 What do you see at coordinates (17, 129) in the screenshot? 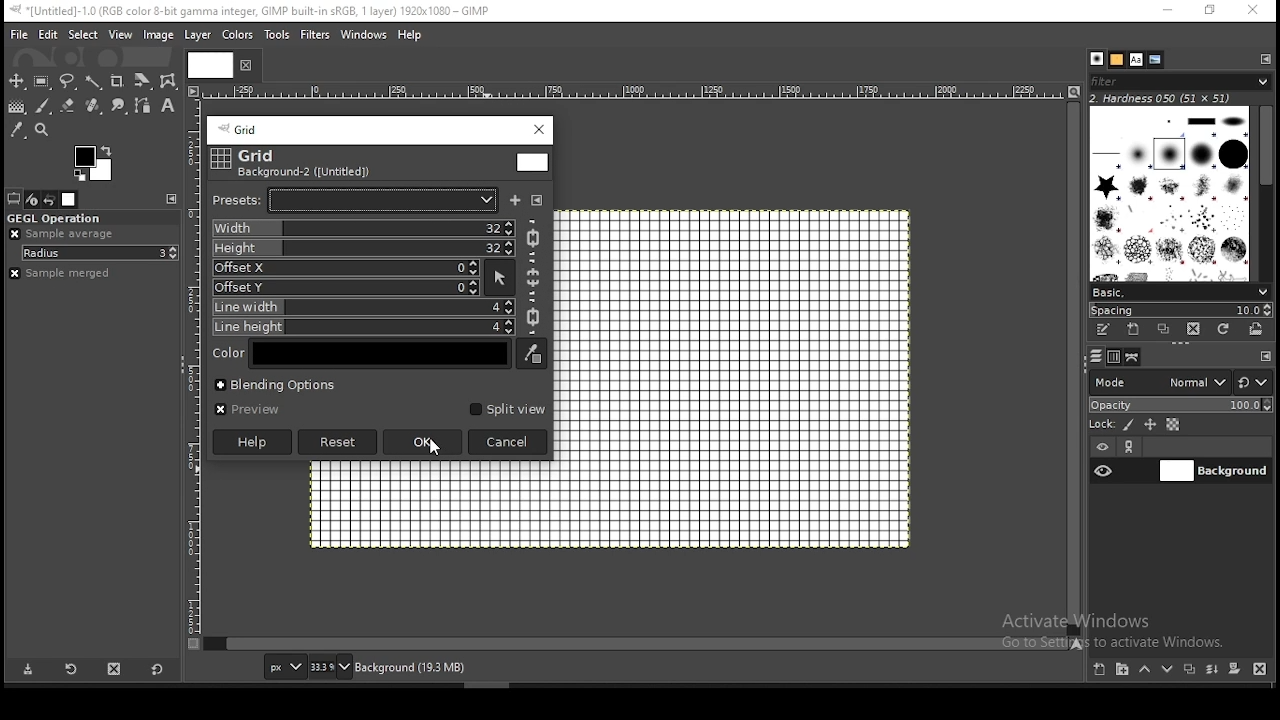
I see `color picker tool` at bounding box center [17, 129].